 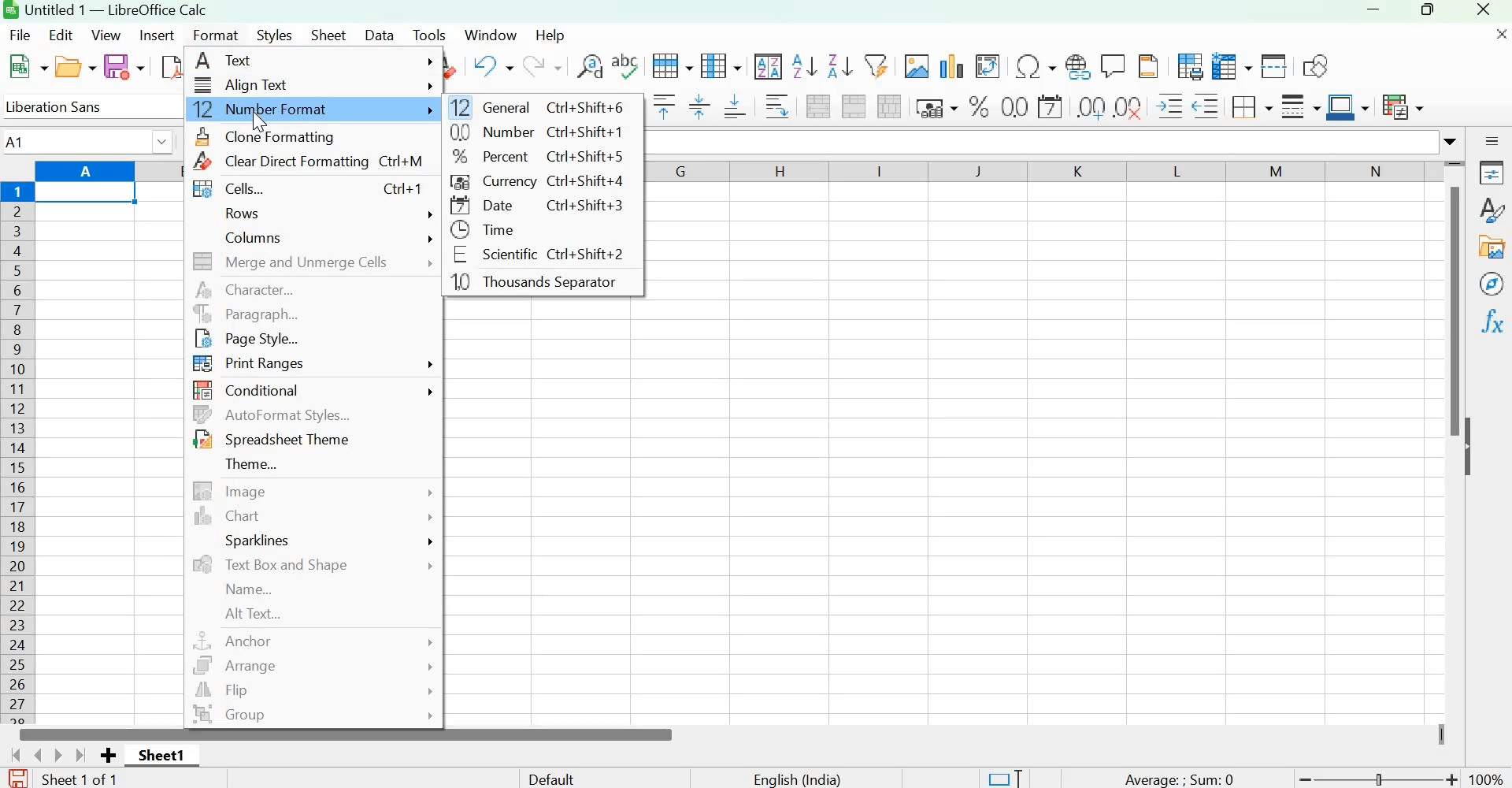 What do you see at coordinates (1494, 320) in the screenshot?
I see `Functions` at bounding box center [1494, 320].